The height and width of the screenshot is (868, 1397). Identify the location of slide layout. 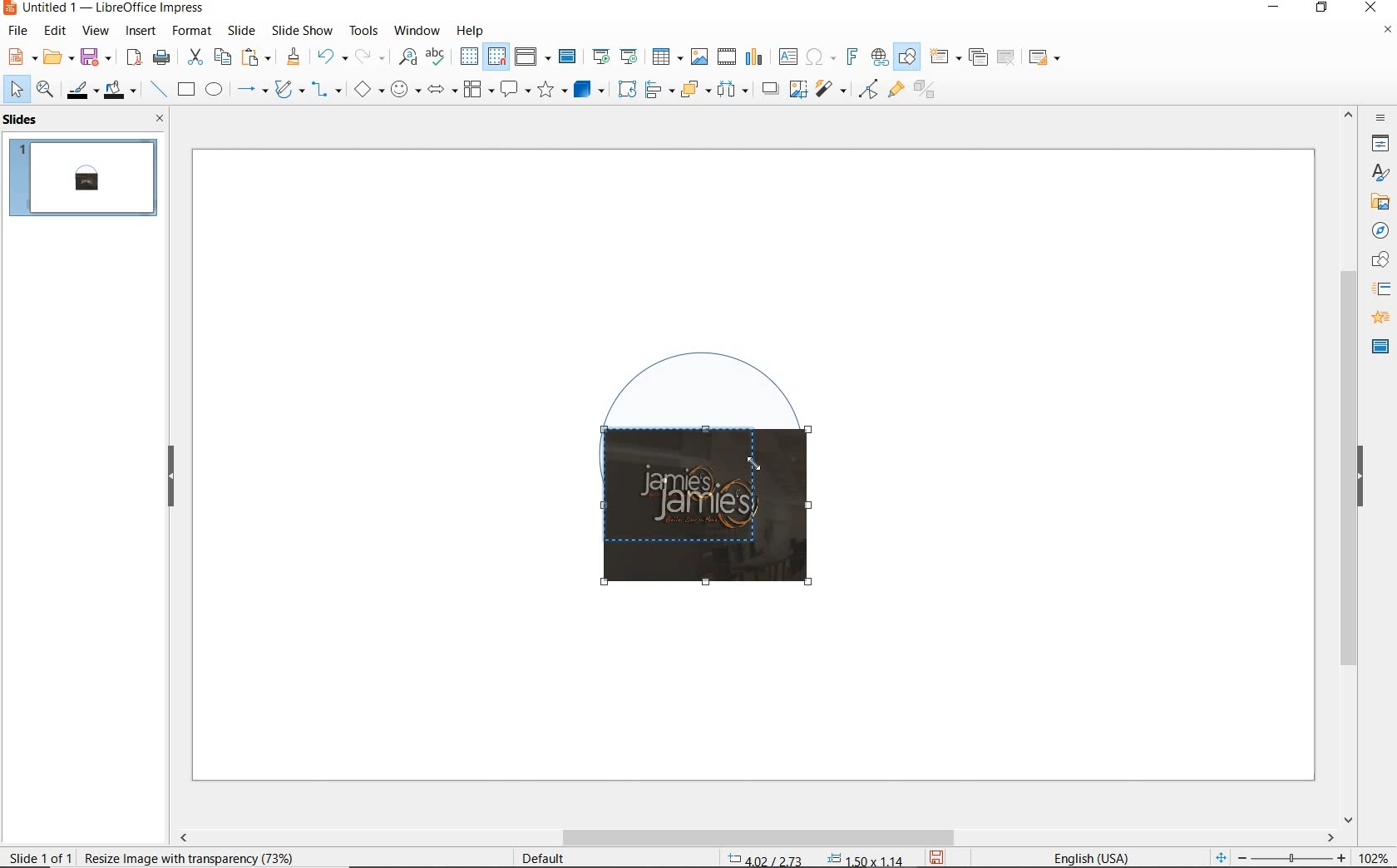
(1045, 58).